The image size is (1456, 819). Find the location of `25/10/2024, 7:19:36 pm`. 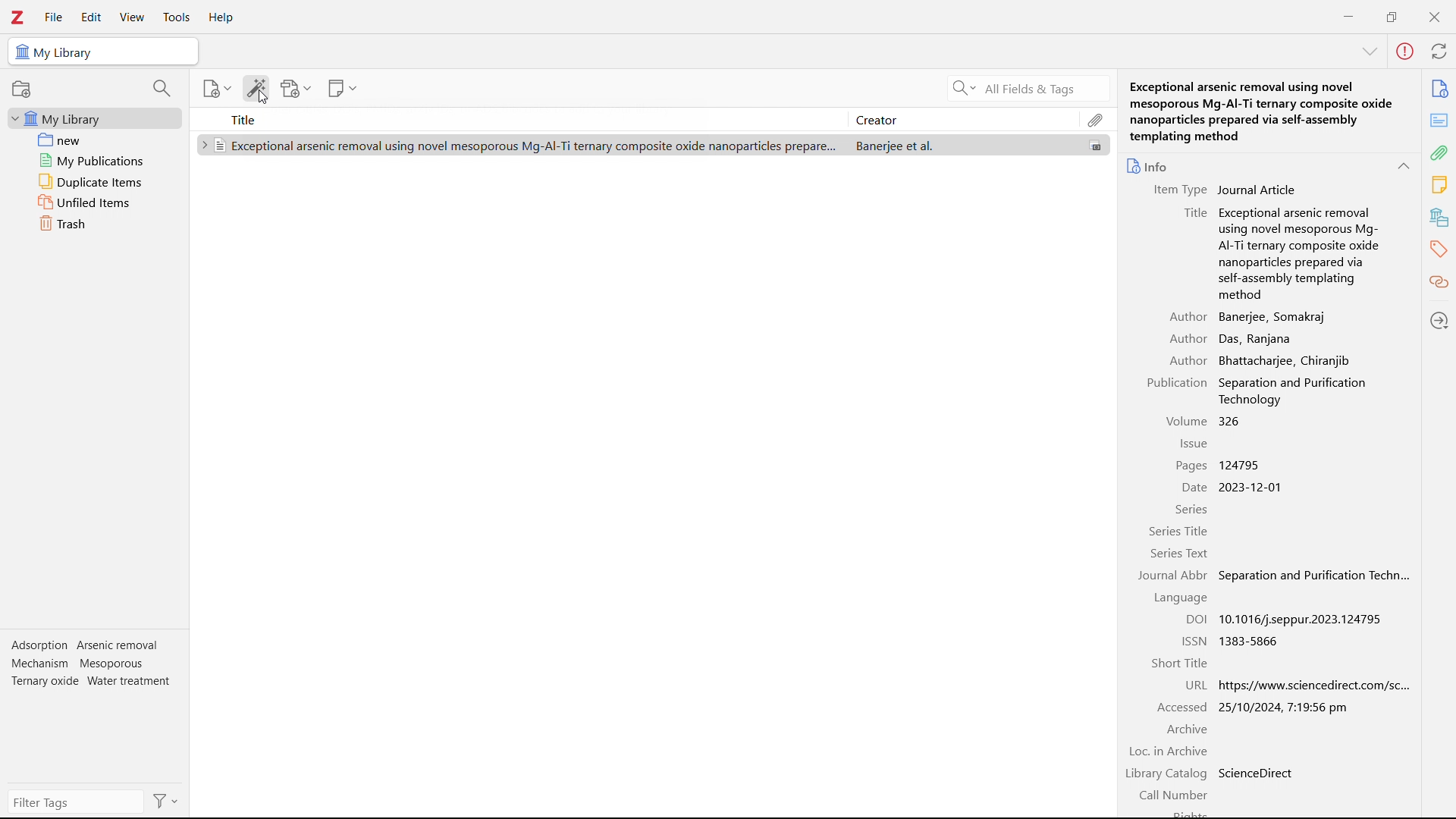

25/10/2024, 7:19:36 pm is located at coordinates (1285, 707).